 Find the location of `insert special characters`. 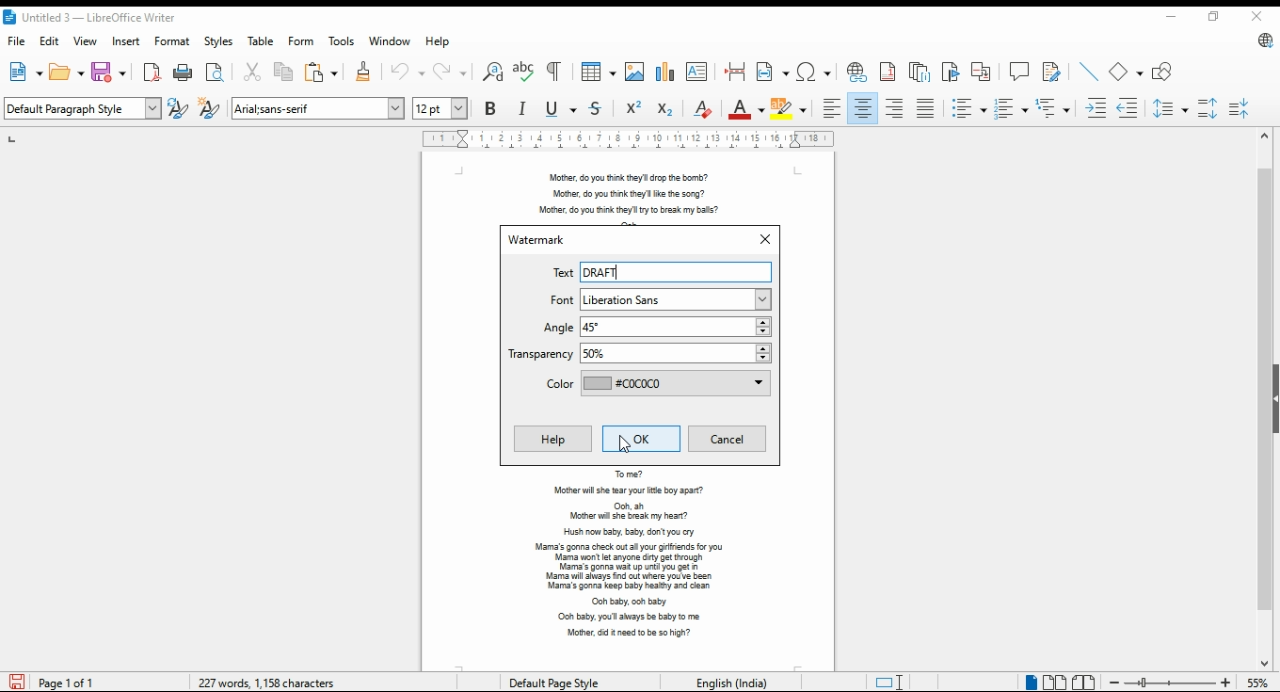

insert special characters is located at coordinates (813, 72).